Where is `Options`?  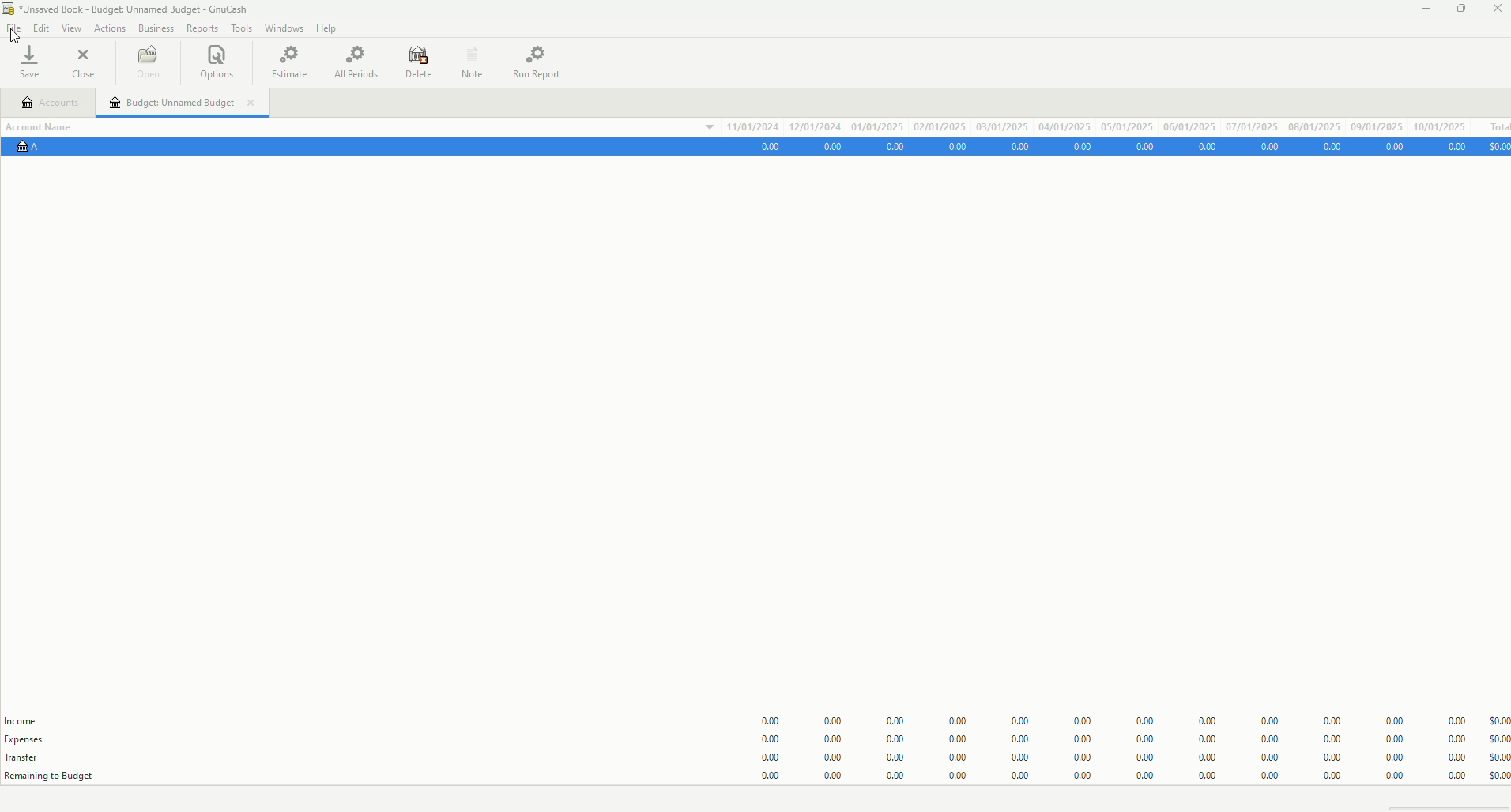
Options is located at coordinates (223, 63).